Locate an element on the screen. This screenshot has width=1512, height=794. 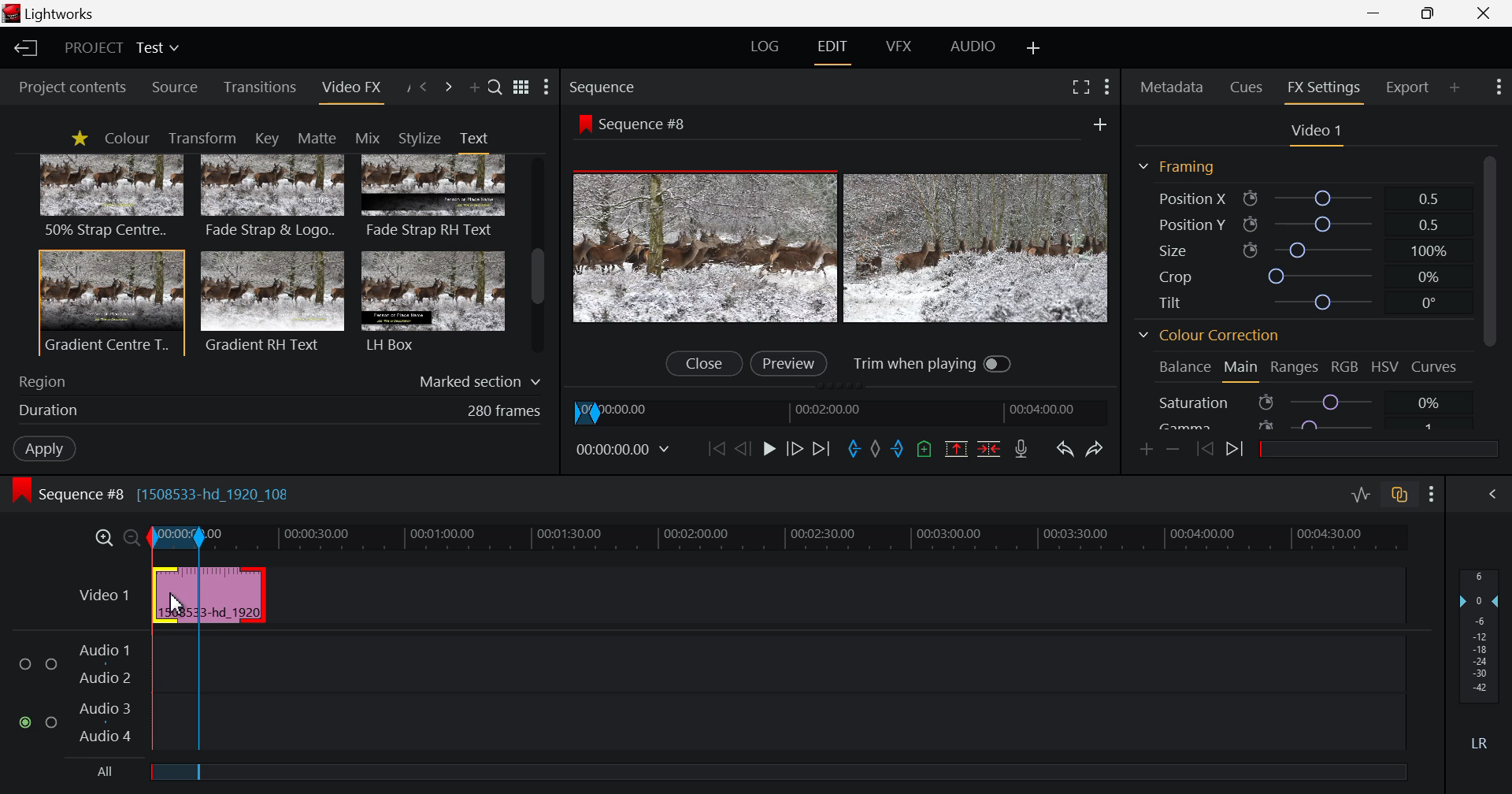
Project contents is located at coordinates (71, 87).